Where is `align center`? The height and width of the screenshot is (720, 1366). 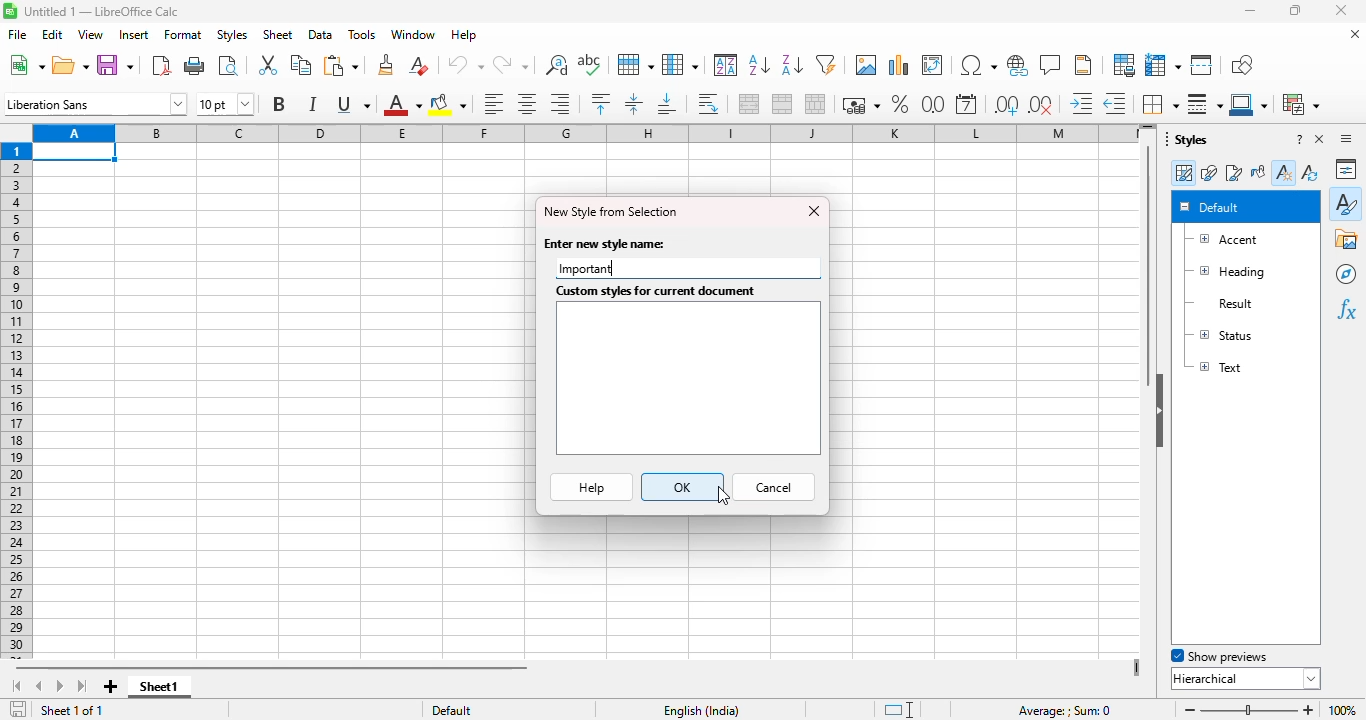 align center is located at coordinates (527, 104).